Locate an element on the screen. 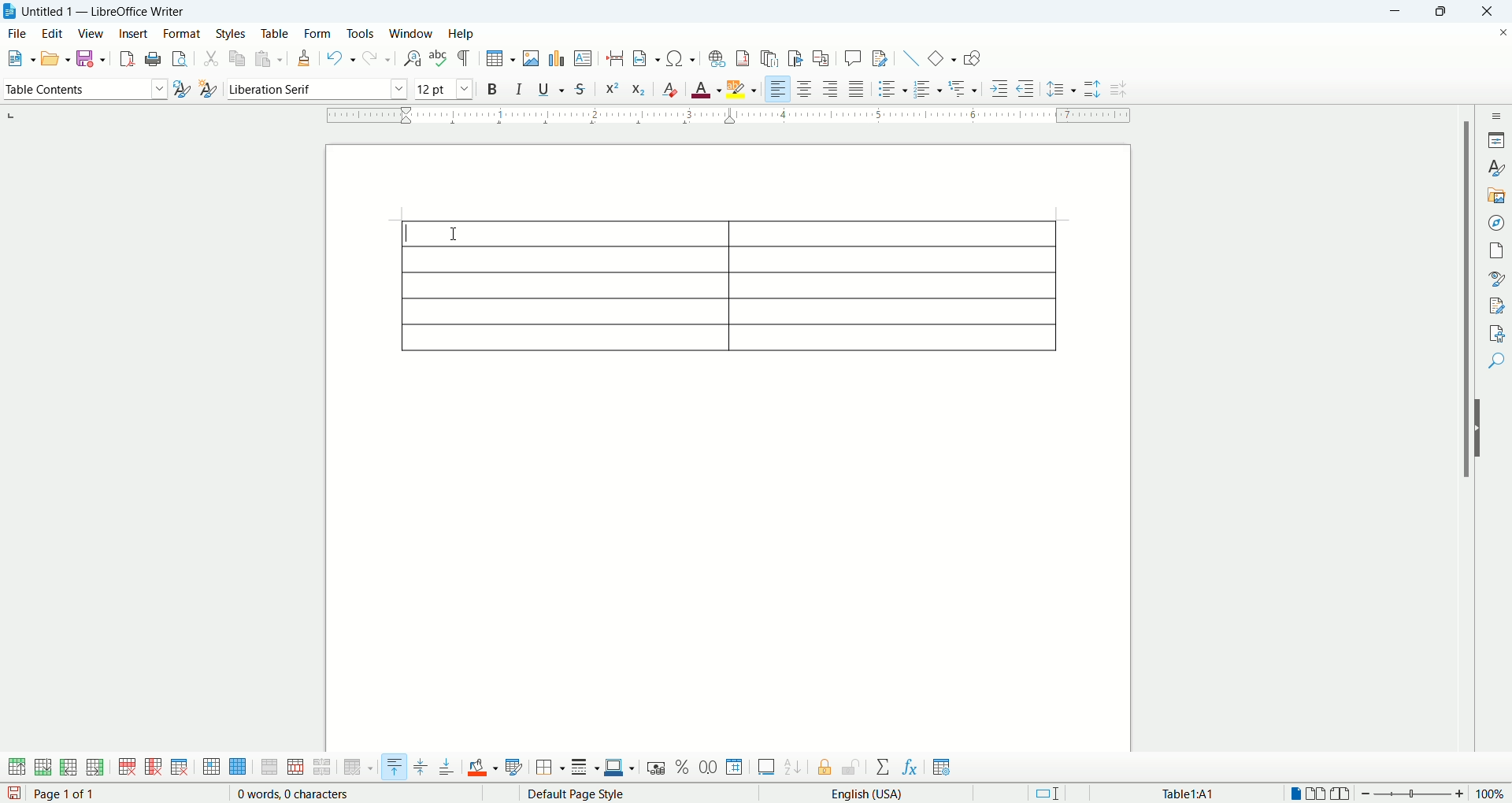  spell check is located at coordinates (439, 57).